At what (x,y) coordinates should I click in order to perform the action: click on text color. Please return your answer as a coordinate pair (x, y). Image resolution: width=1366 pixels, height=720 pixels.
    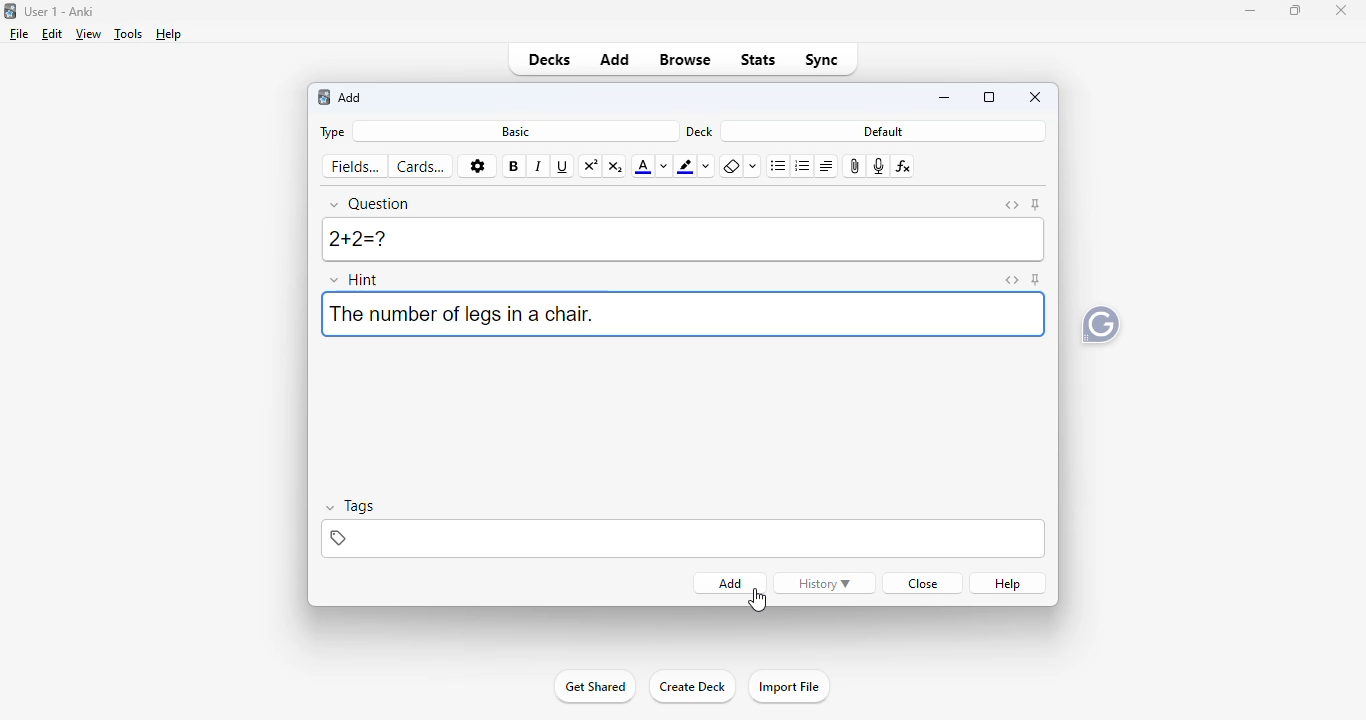
    Looking at the image, I should click on (642, 168).